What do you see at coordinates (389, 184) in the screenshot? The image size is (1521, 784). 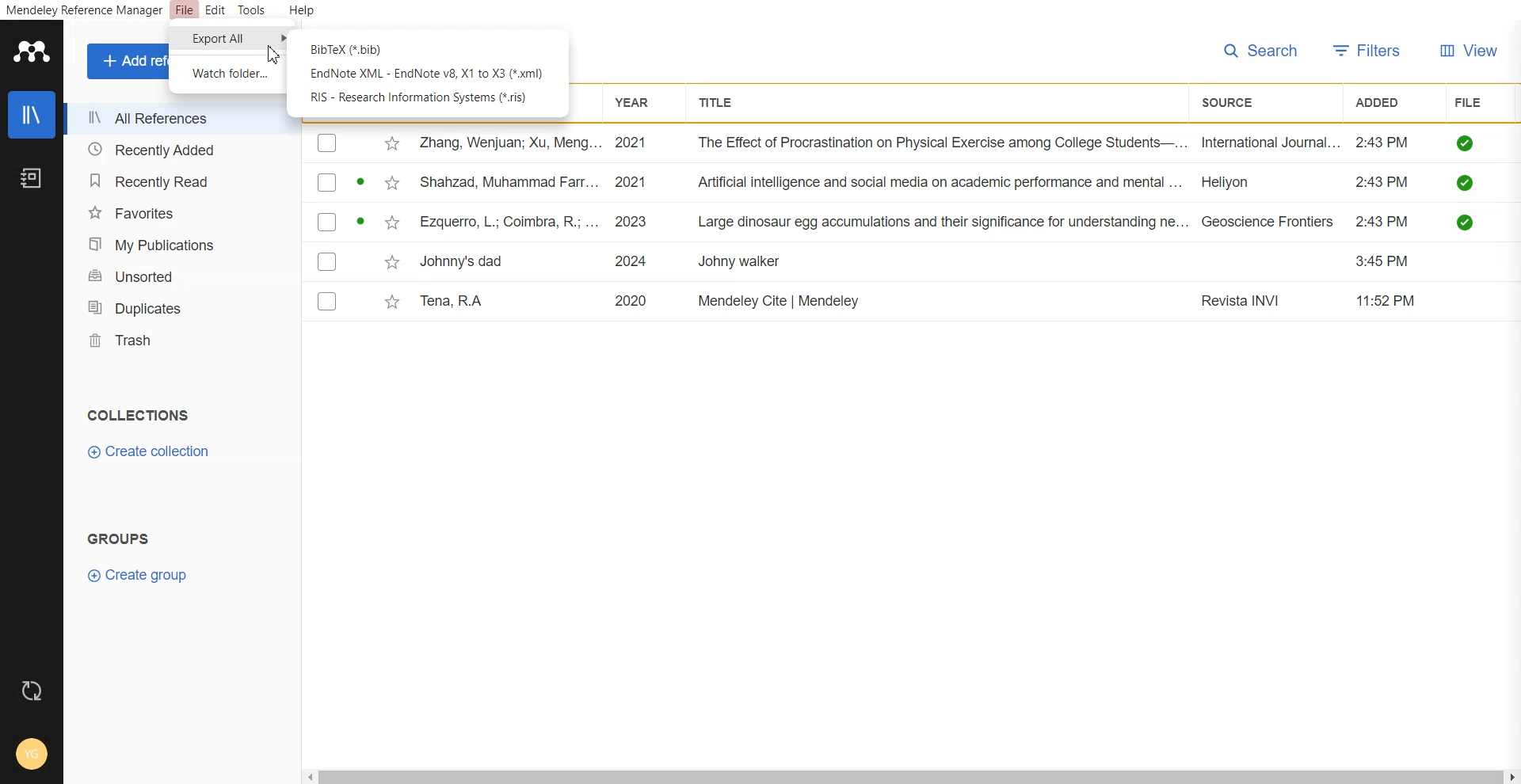 I see `star` at bounding box center [389, 184].